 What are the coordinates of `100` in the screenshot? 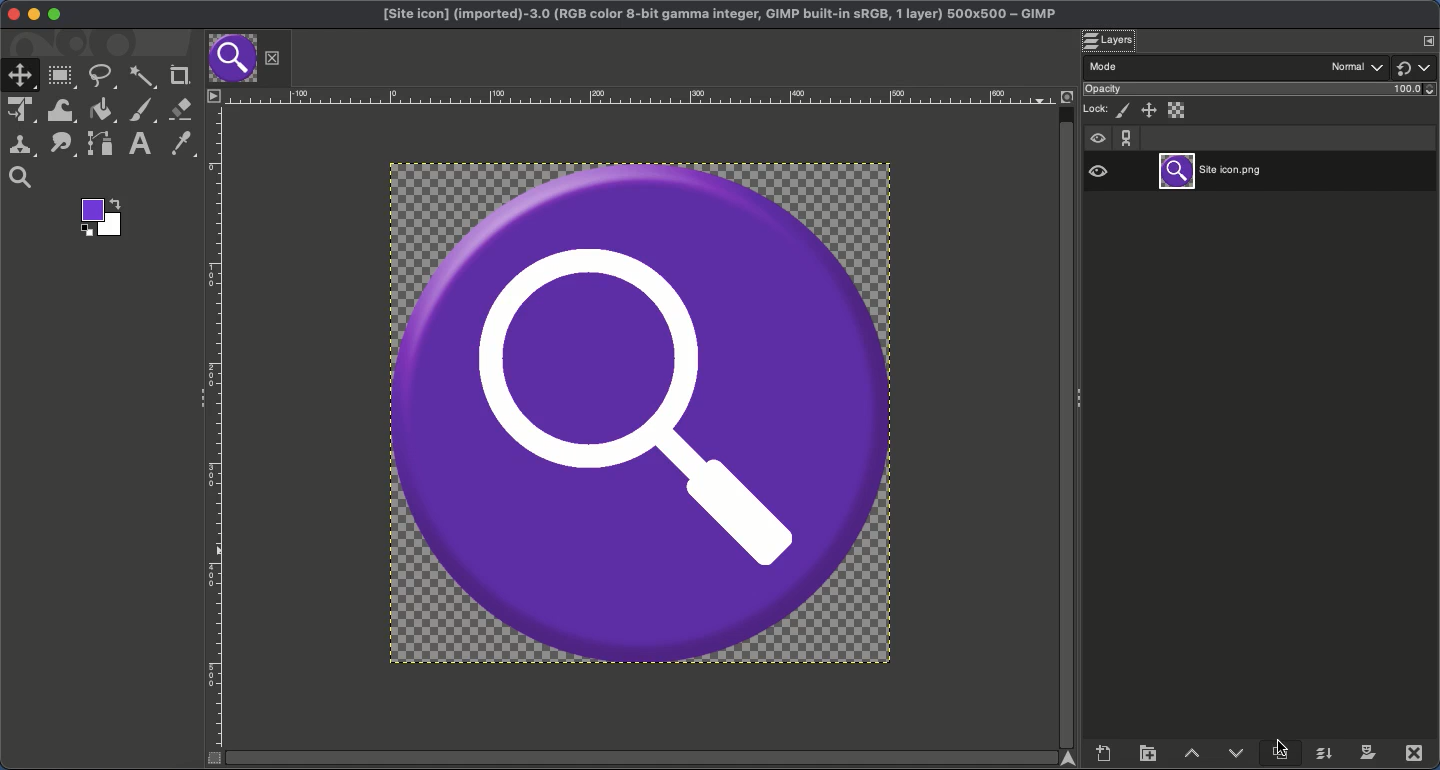 It's located at (1413, 91).